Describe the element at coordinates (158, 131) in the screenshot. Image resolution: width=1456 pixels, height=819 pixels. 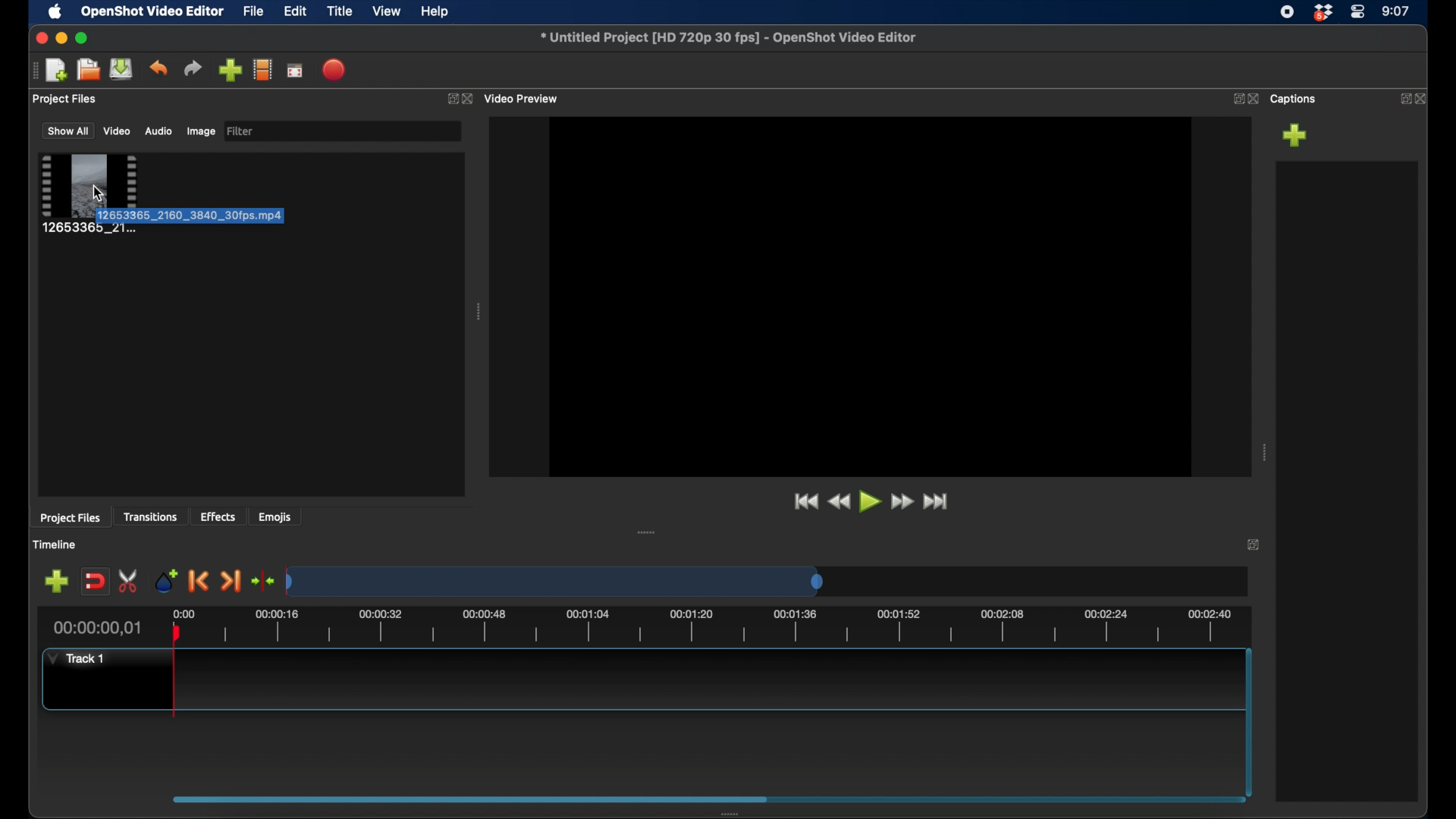
I see `audio` at that location.